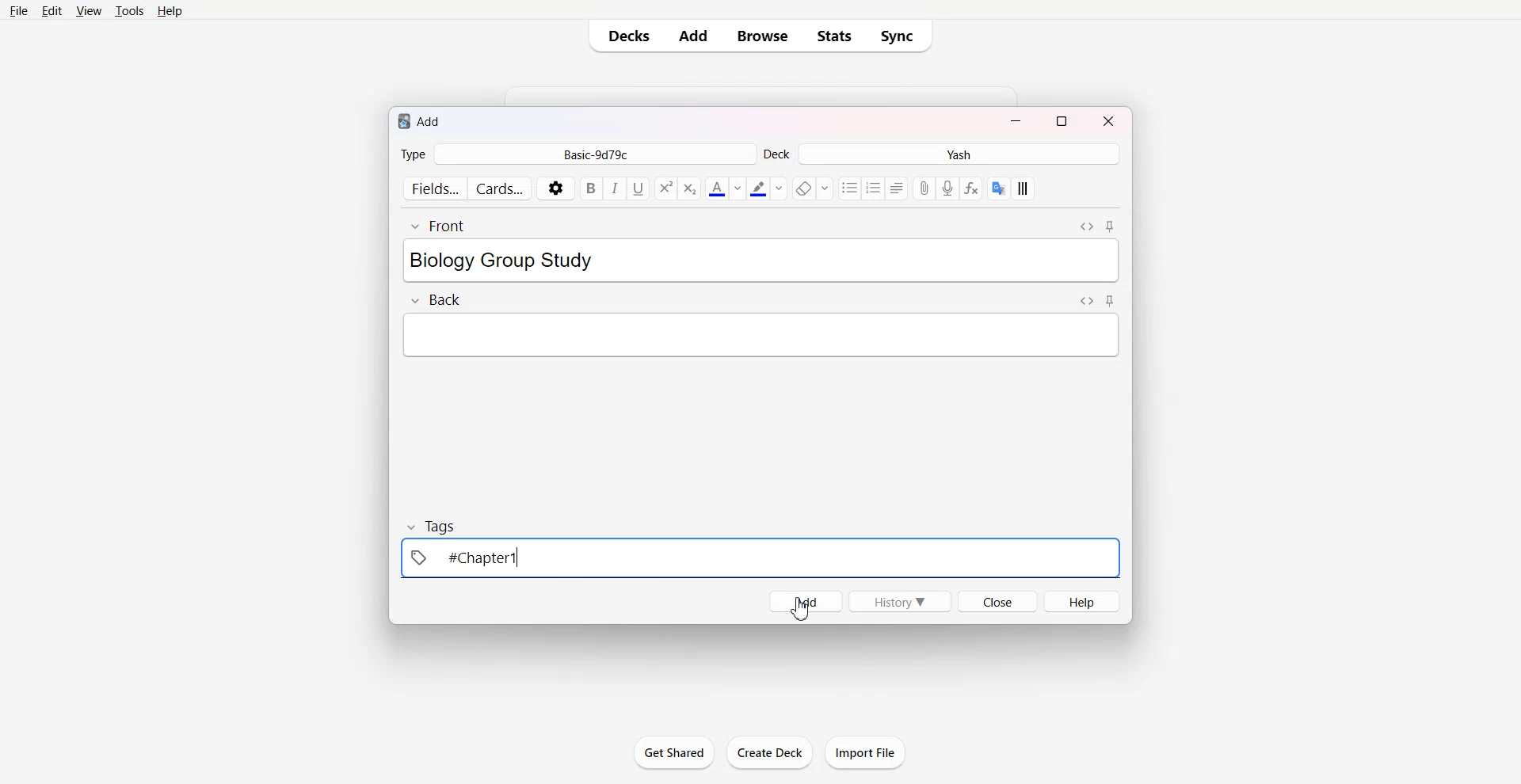 The height and width of the screenshot is (784, 1521). I want to click on Tools, so click(130, 12).